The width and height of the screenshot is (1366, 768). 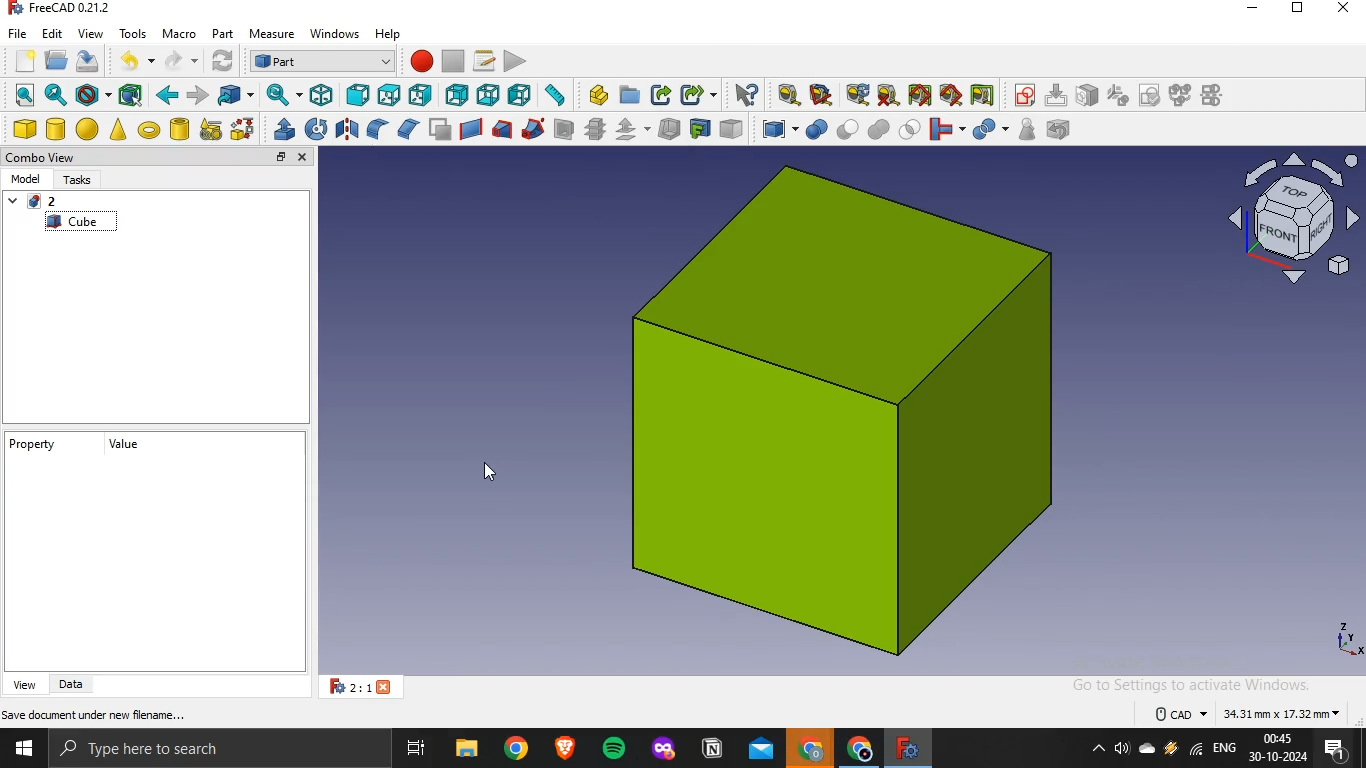 What do you see at coordinates (809, 748) in the screenshot?
I see `google crome` at bounding box center [809, 748].